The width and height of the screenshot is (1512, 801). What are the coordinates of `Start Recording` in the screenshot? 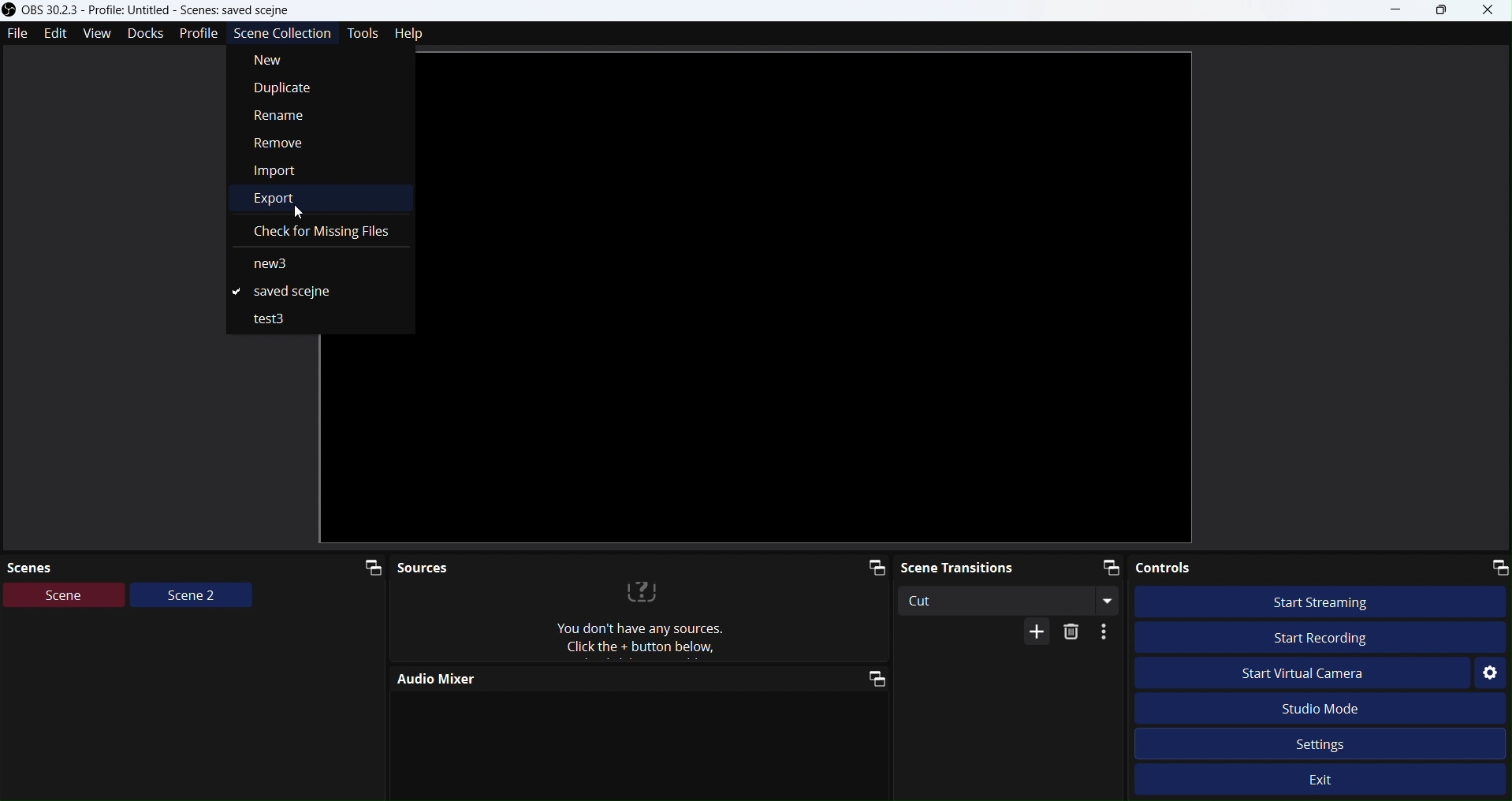 It's located at (1320, 638).